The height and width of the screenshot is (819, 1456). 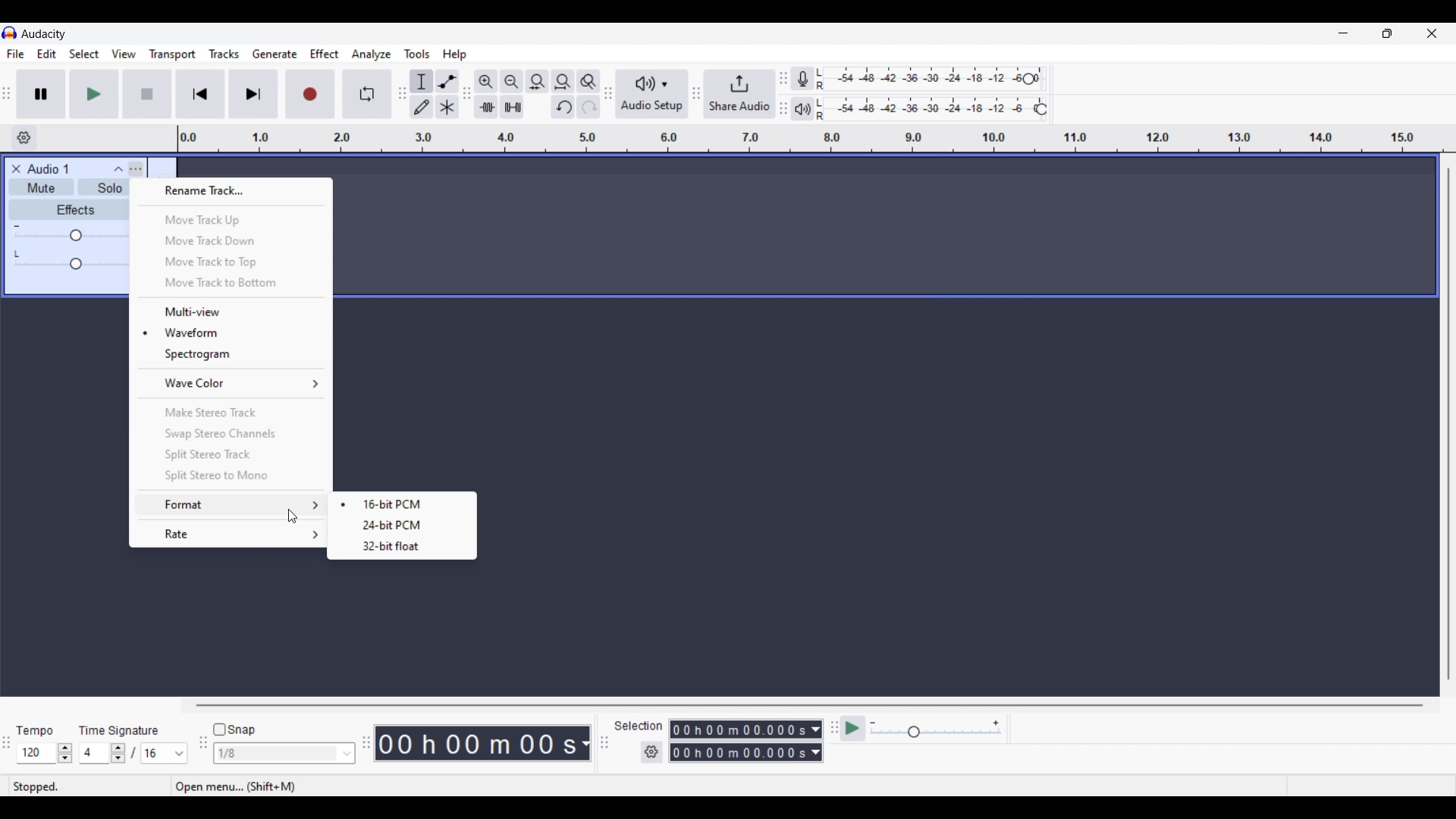 I want to click on Snap options to choose from, so click(x=348, y=754).